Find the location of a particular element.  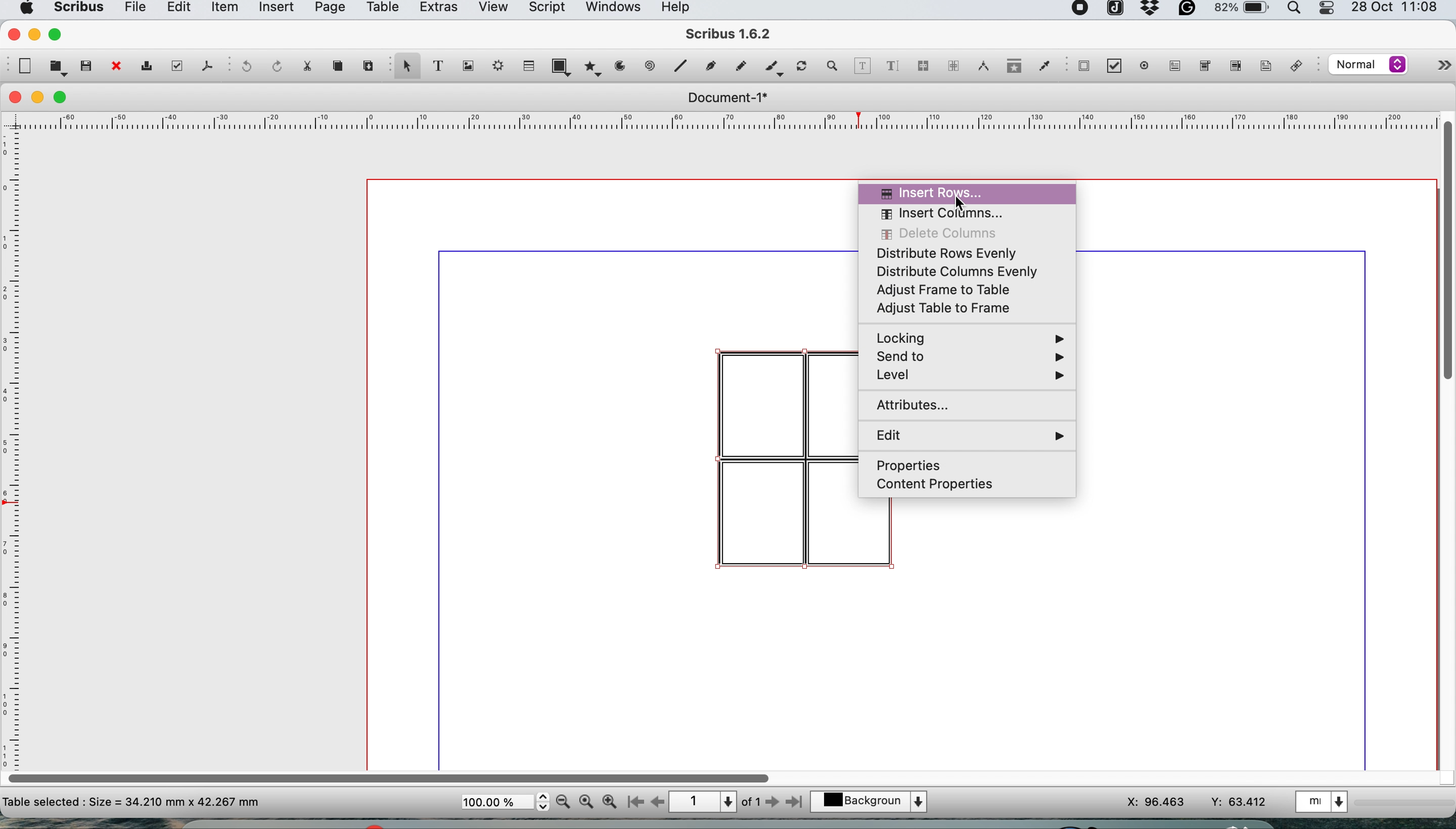

close is located at coordinates (13, 97).